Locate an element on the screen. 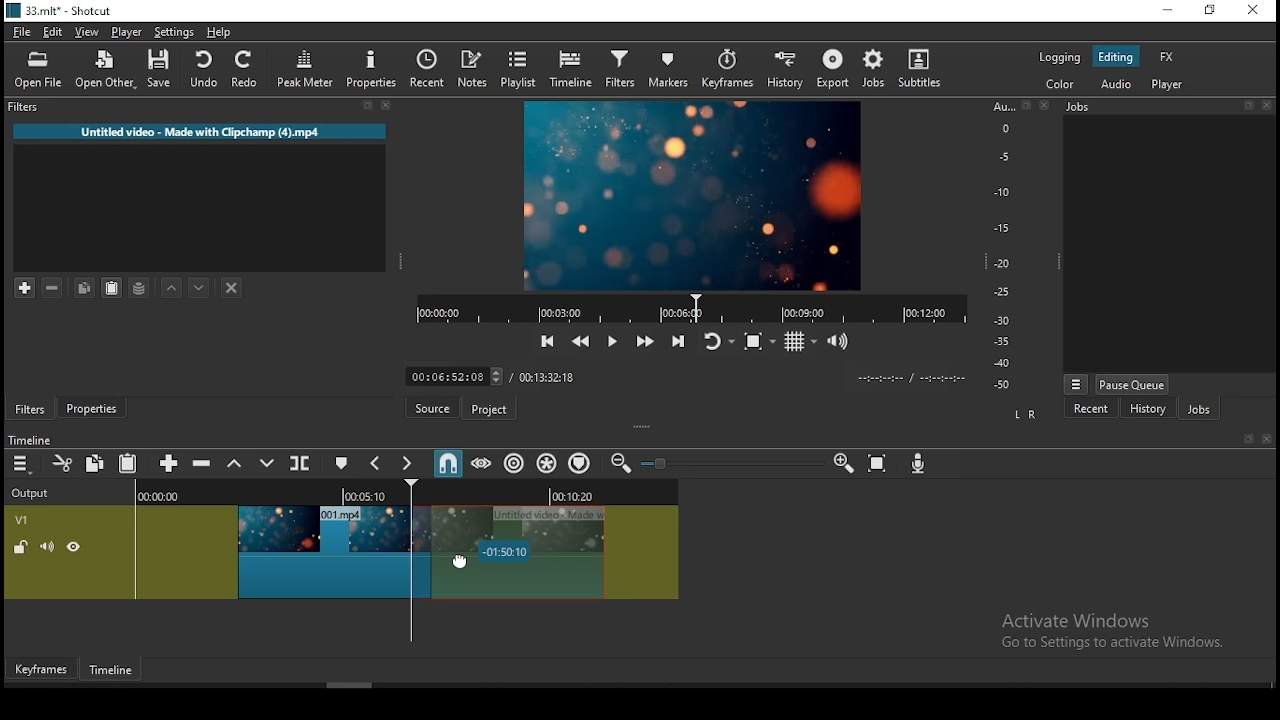  (un)mute is located at coordinates (45, 547).